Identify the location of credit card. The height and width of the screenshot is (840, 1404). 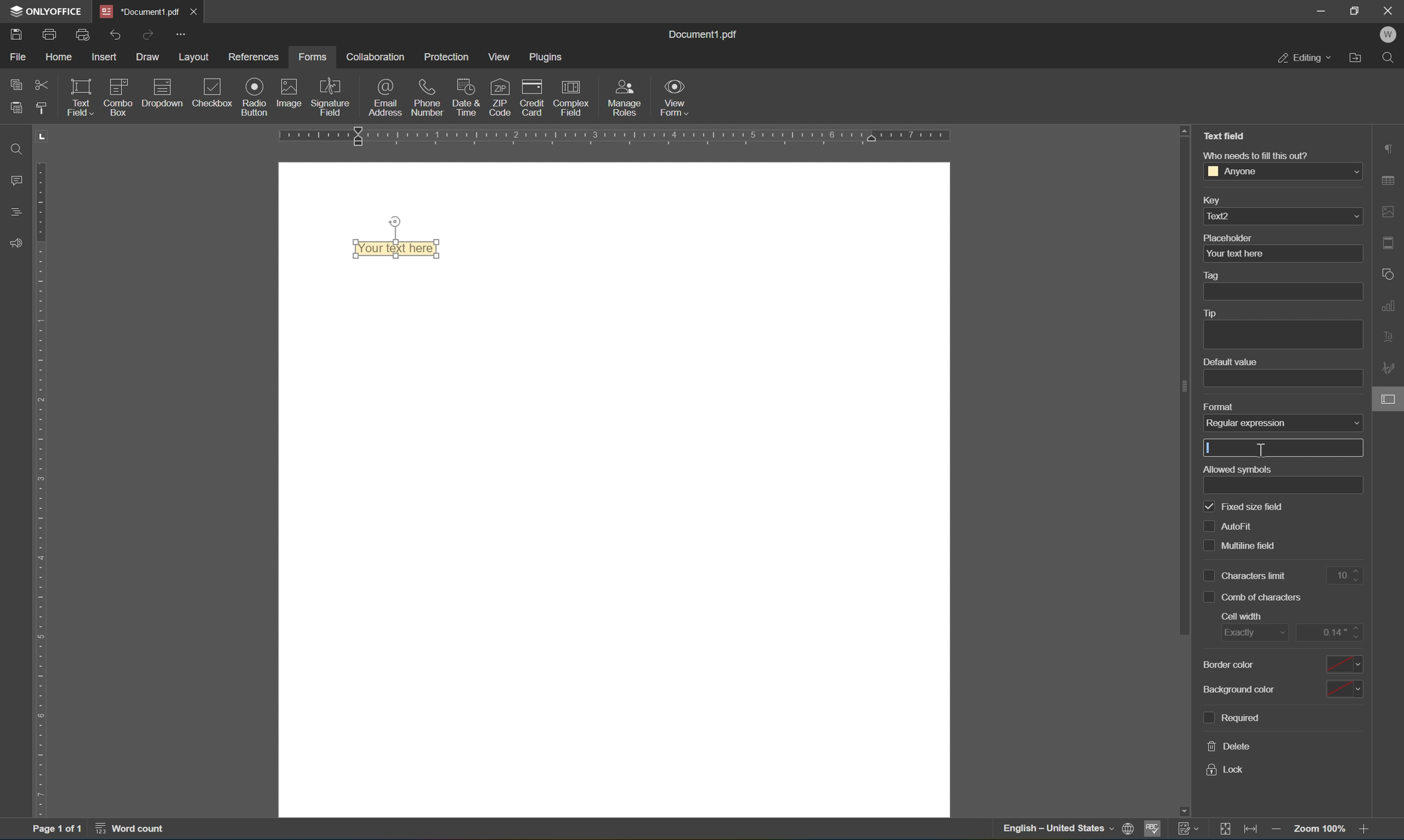
(533, 96).